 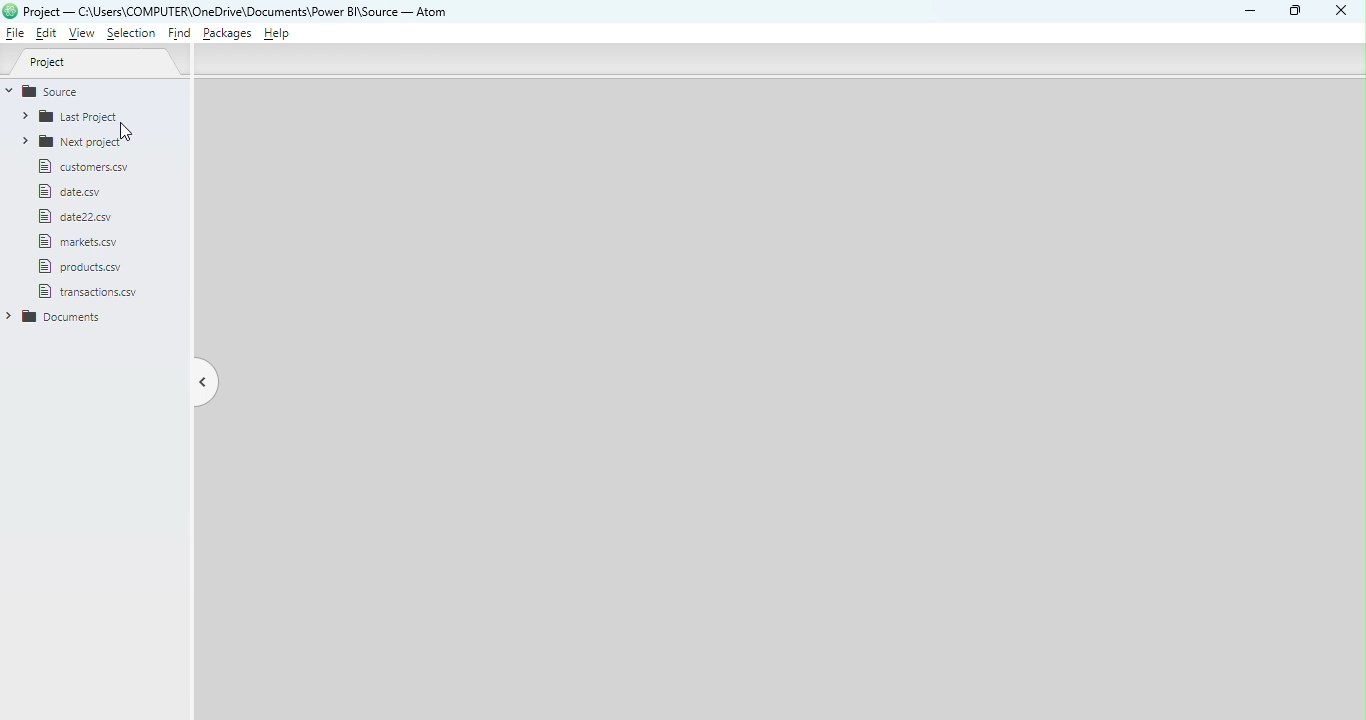 What do you see at coordinates (59, 92) in the screenshot?
I see `Source` at bounding box center [59, 92].